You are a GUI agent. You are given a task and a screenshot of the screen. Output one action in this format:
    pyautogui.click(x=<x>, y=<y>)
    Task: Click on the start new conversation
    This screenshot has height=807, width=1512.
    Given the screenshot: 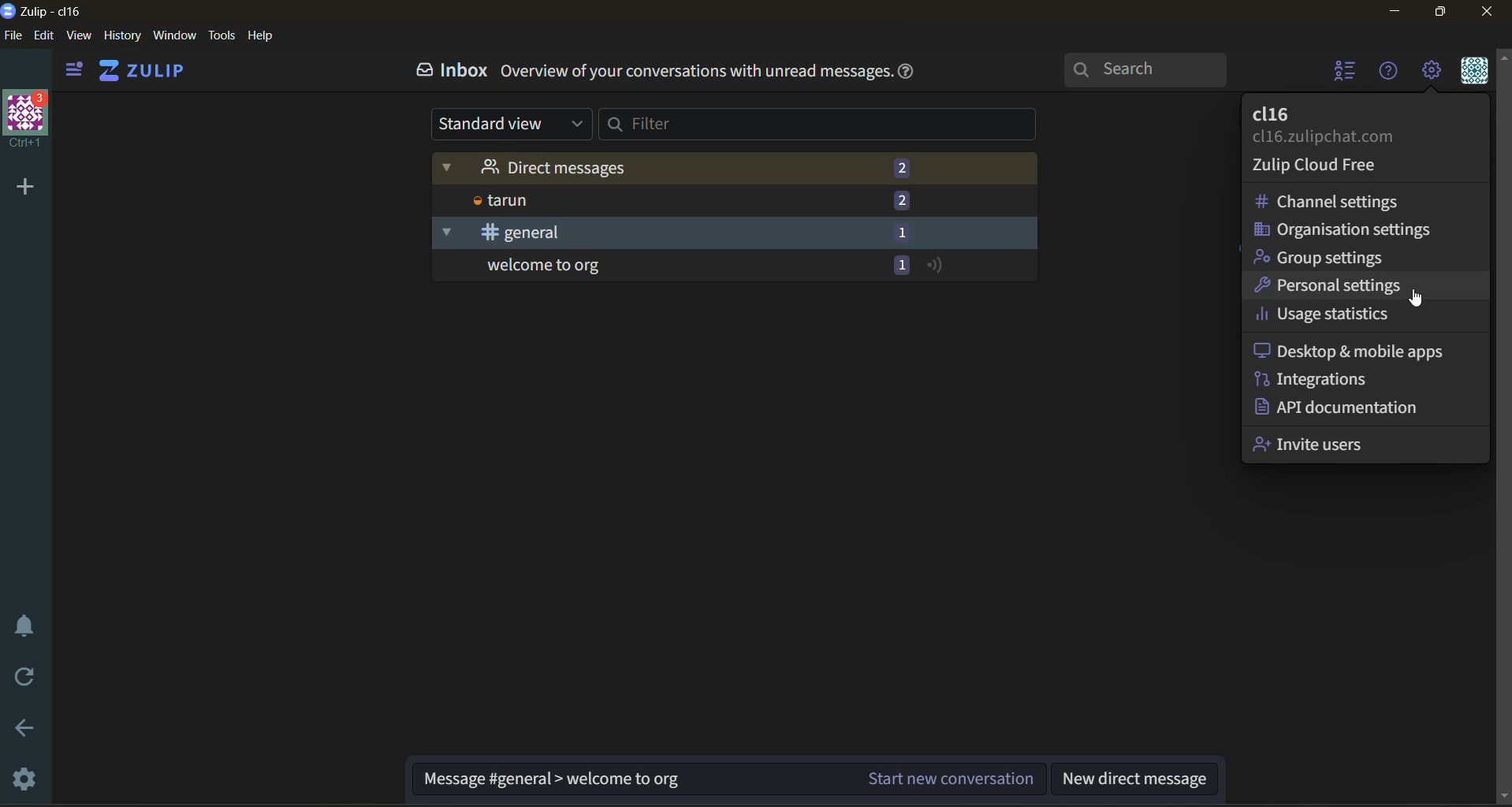 What is the action you would take?
    pyautogui.click(x=953, y=779)
    